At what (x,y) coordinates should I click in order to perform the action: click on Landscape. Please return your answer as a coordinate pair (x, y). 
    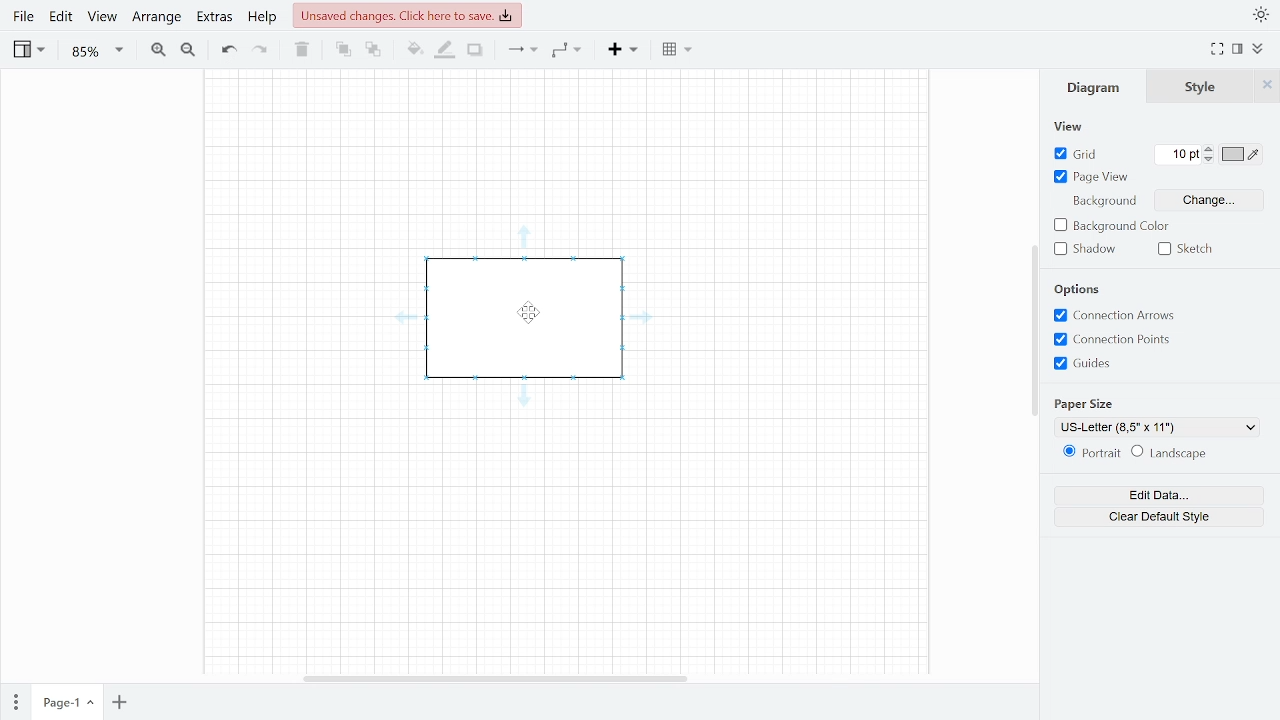
    Looking at the image, I should click on (1192, 455).